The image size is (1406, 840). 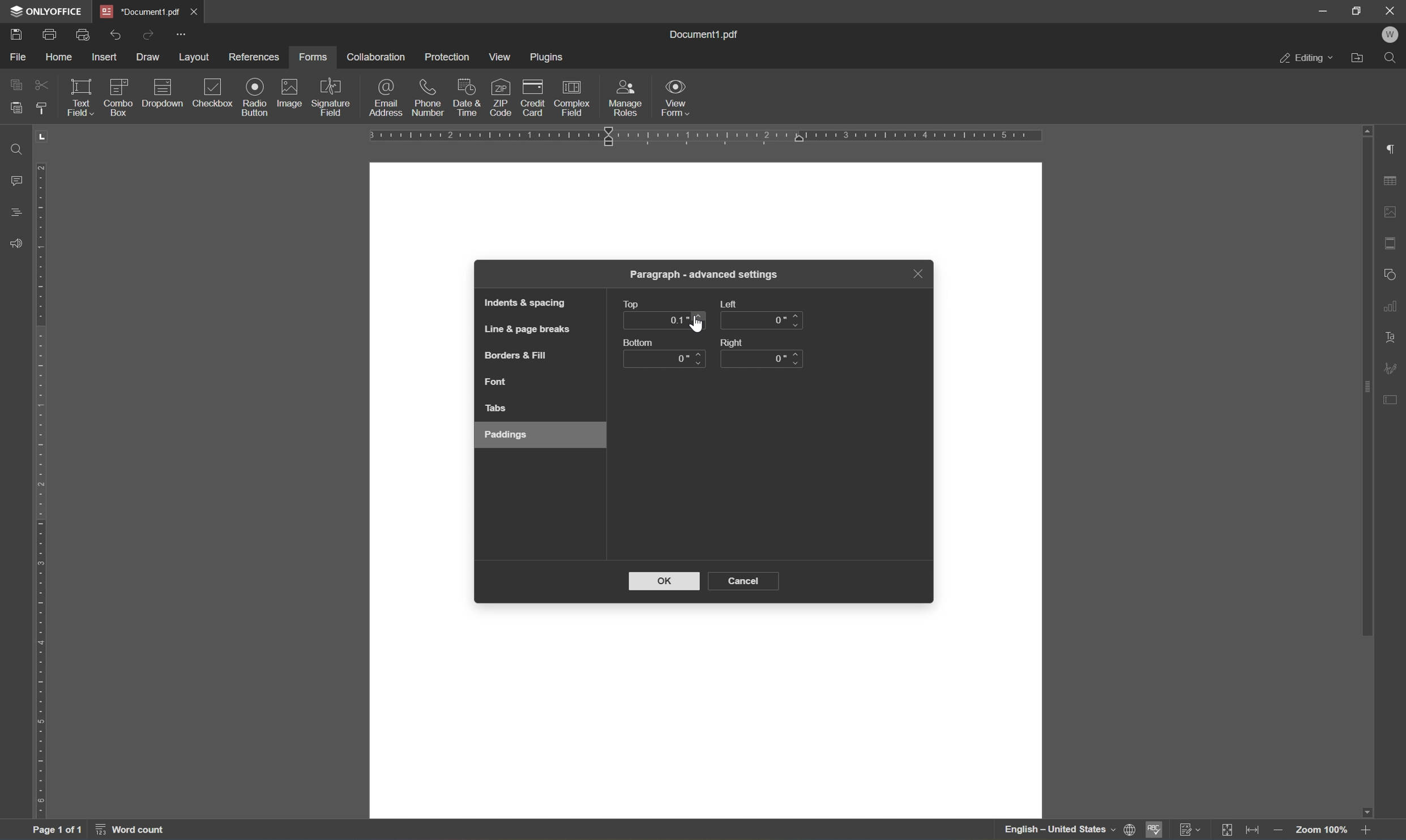 What do you see at coordinates (917, 274) in the screenshot?
I see `close` at bounding box center [917, 274].